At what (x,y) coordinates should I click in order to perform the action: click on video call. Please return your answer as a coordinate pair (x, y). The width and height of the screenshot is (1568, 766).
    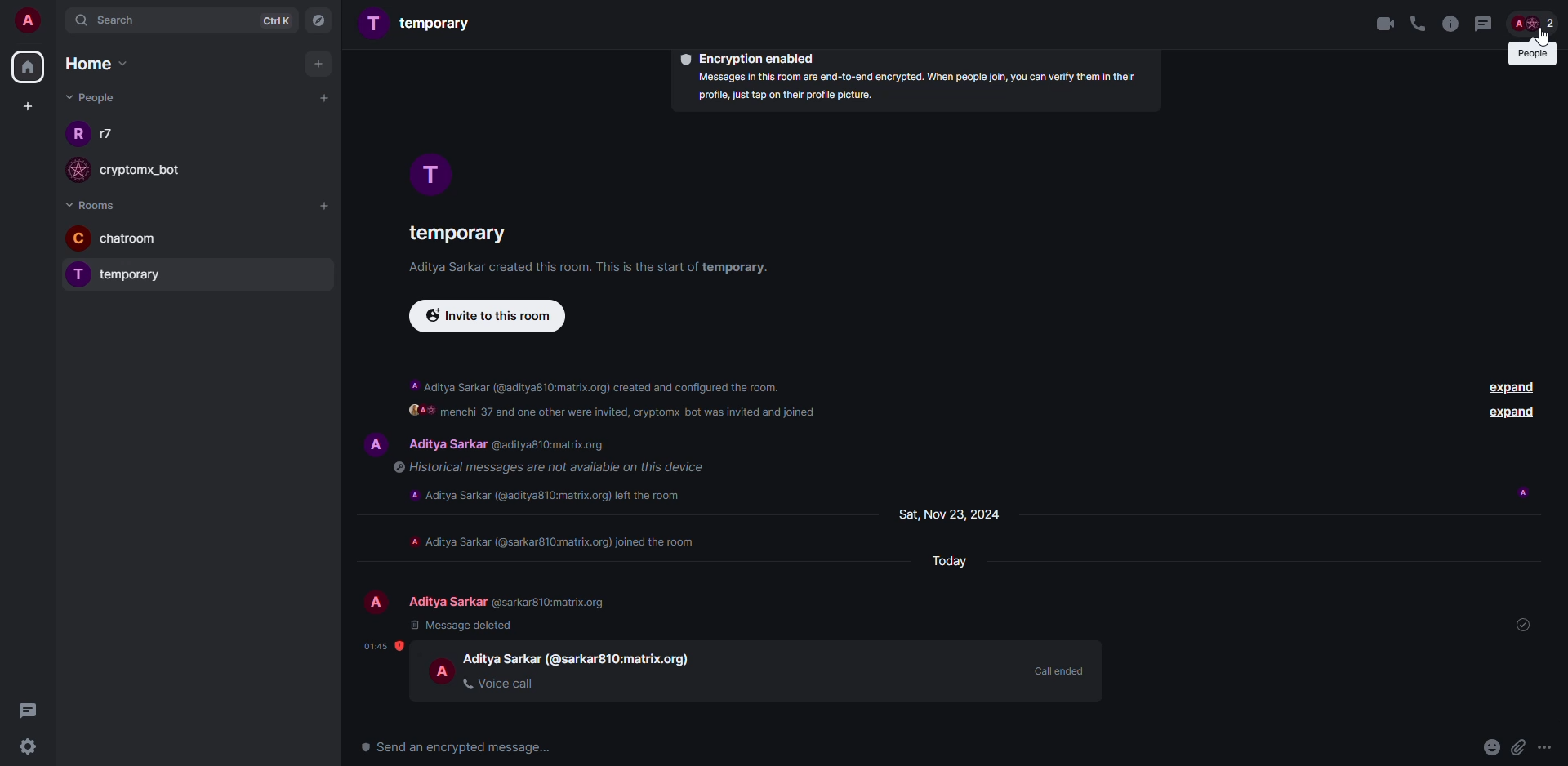
    Looking at the image, I should click on (1384, 24).